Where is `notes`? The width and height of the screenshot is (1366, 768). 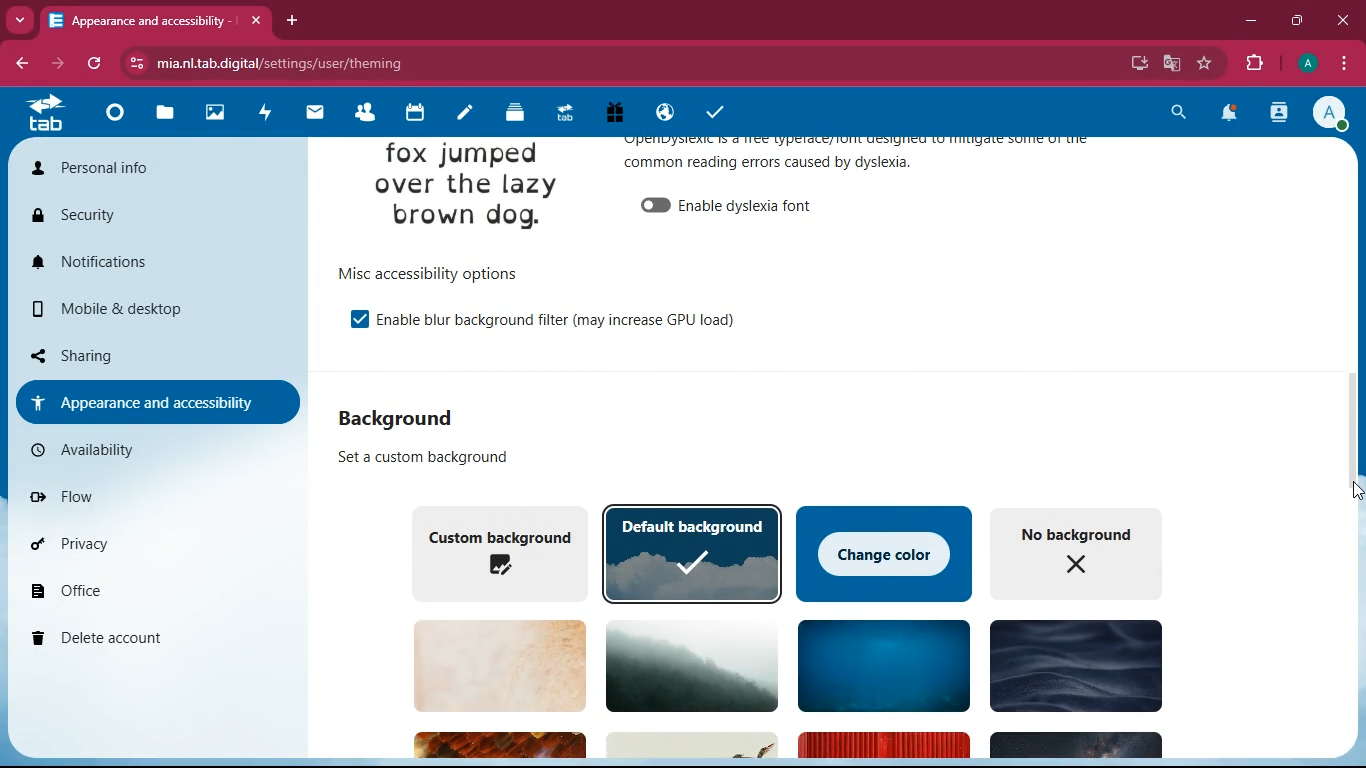 notes is located at coordinates (464, 116).